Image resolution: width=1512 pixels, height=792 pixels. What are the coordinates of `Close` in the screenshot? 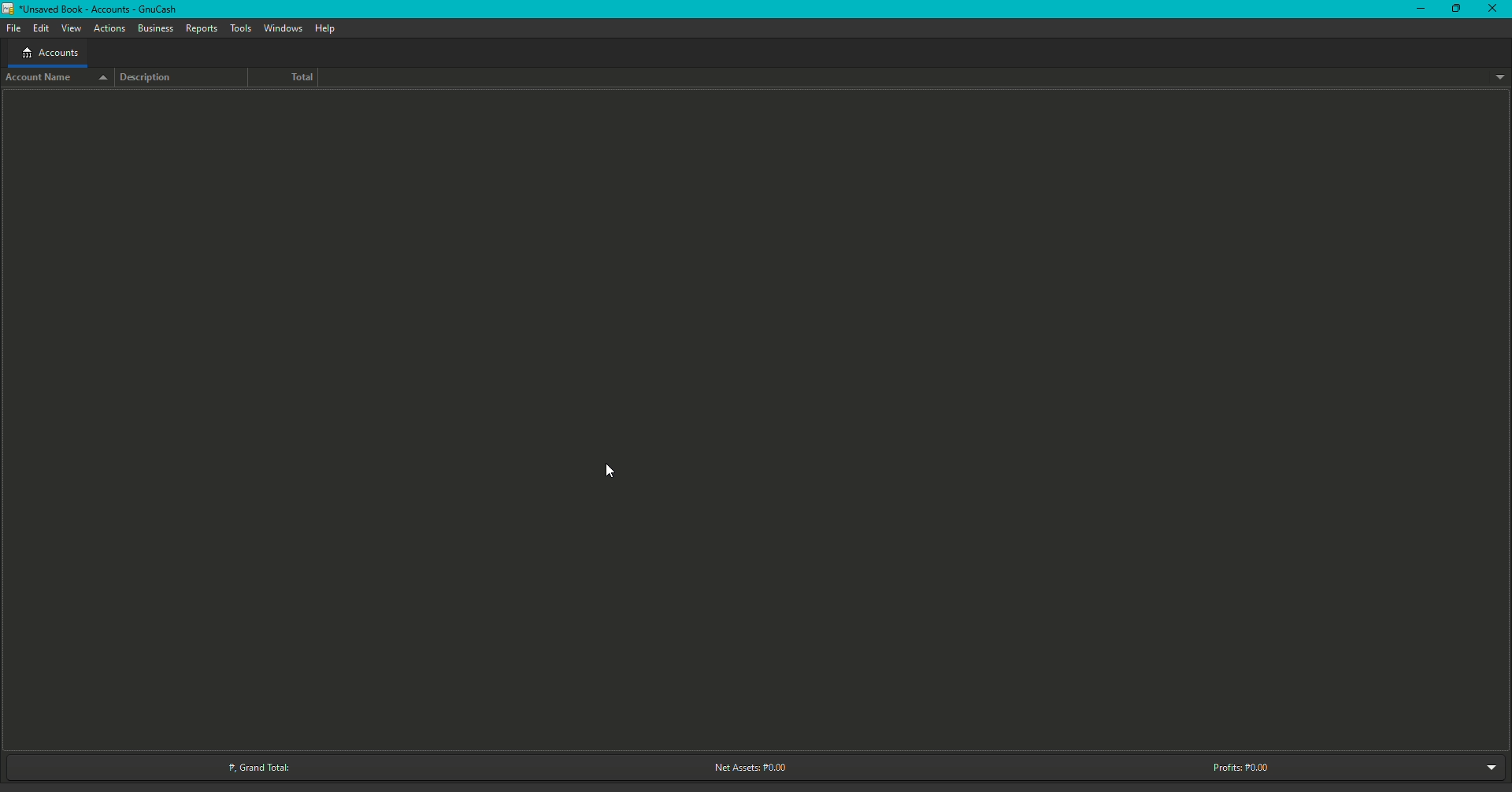 It's located at (1486, 8).